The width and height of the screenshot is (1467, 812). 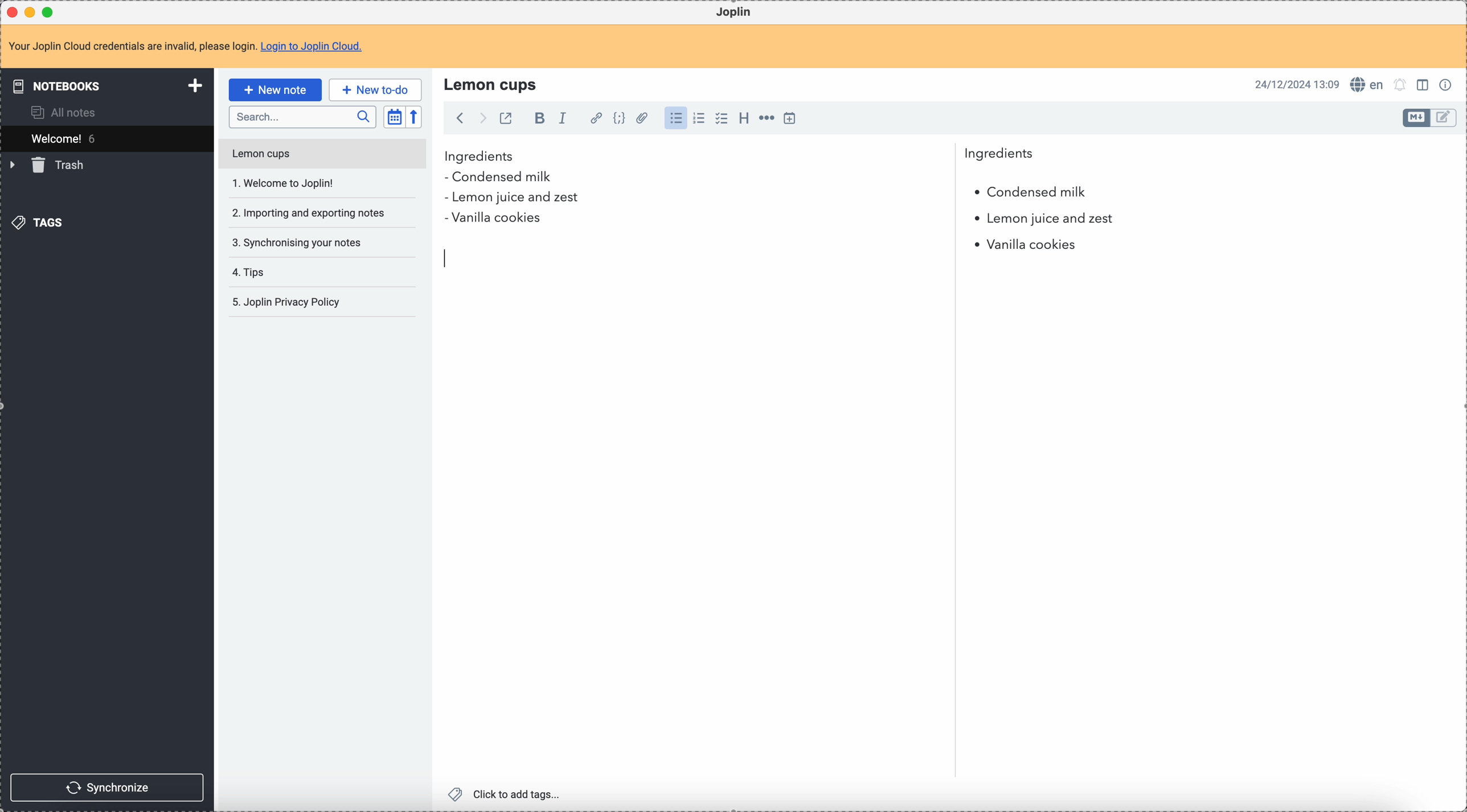 What do you see at coordinates (1029, 192) in the screenshot?
I see `condensed milk` at bounding box center [1029, 192].